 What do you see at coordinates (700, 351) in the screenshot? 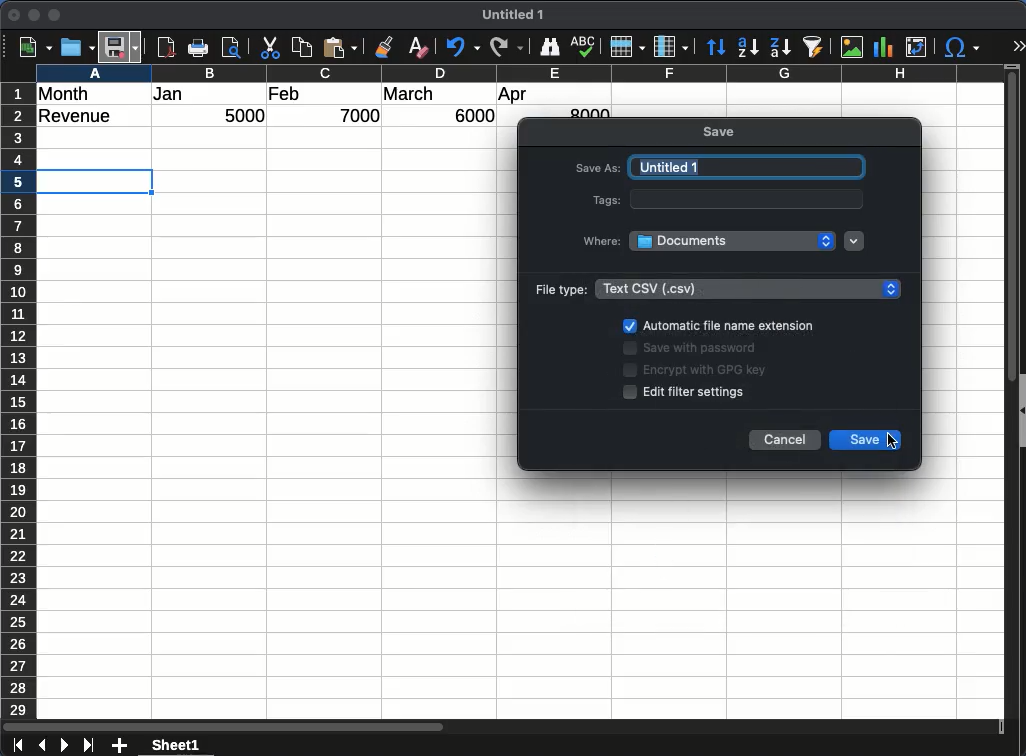
I see `save with password` at bounding box center [700, 351].